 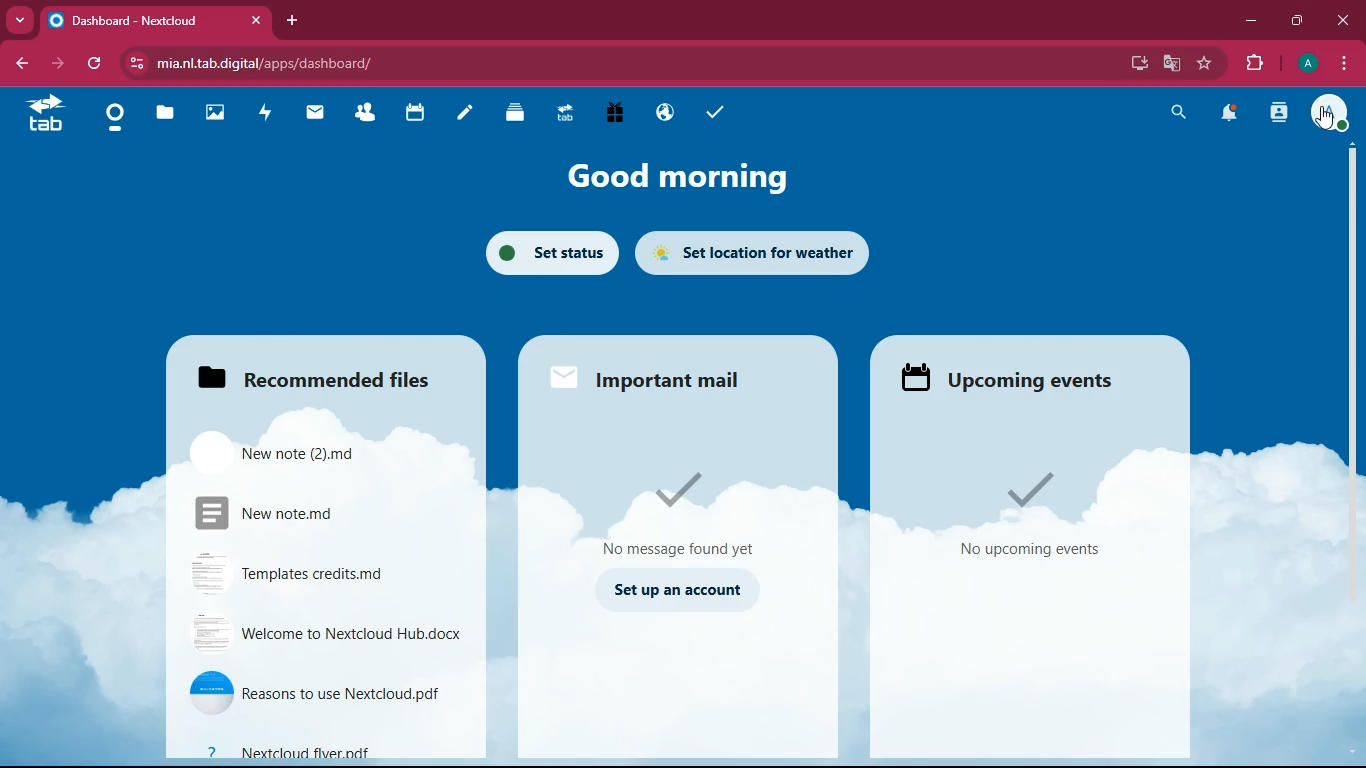 What do you see at coordinates (305, 511) in the screenshot?
I see `file` at bounding box center [305, 511].